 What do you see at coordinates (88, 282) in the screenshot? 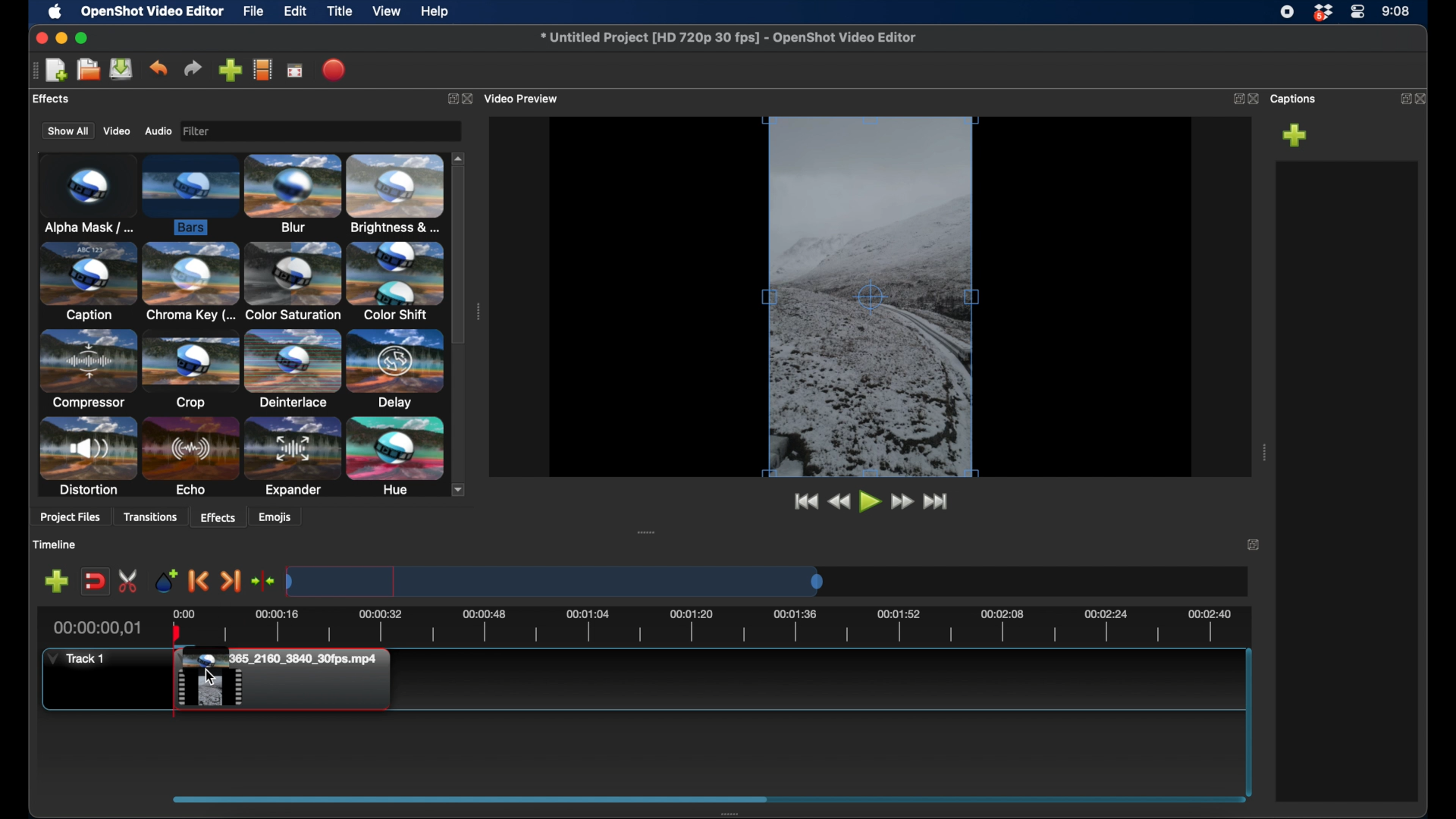
I see `caption` at bounding box center [88, 282].